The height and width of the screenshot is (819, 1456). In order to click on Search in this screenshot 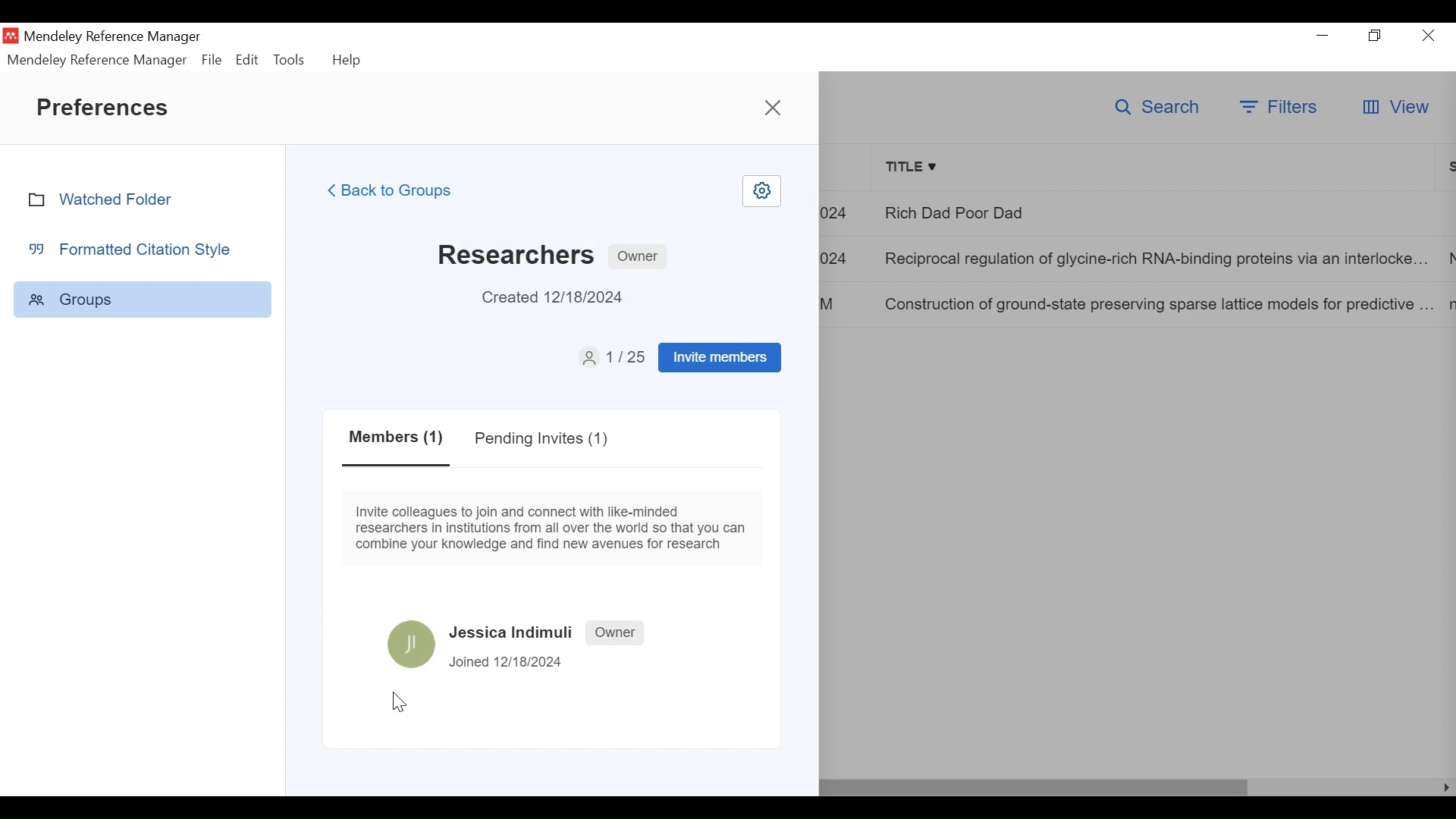, I will do `click(1154, 108)`.